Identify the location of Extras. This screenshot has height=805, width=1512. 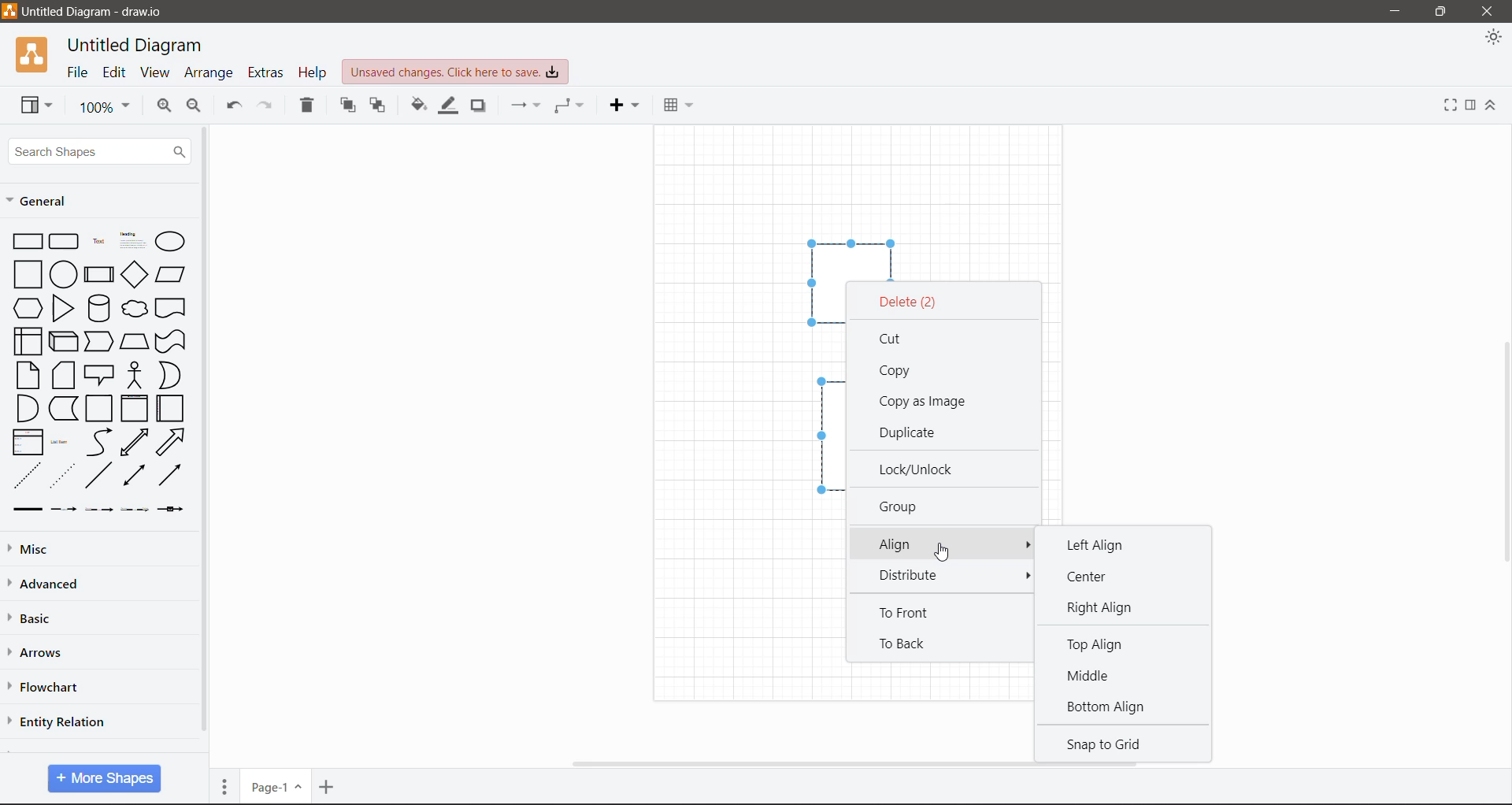
(265, 72).